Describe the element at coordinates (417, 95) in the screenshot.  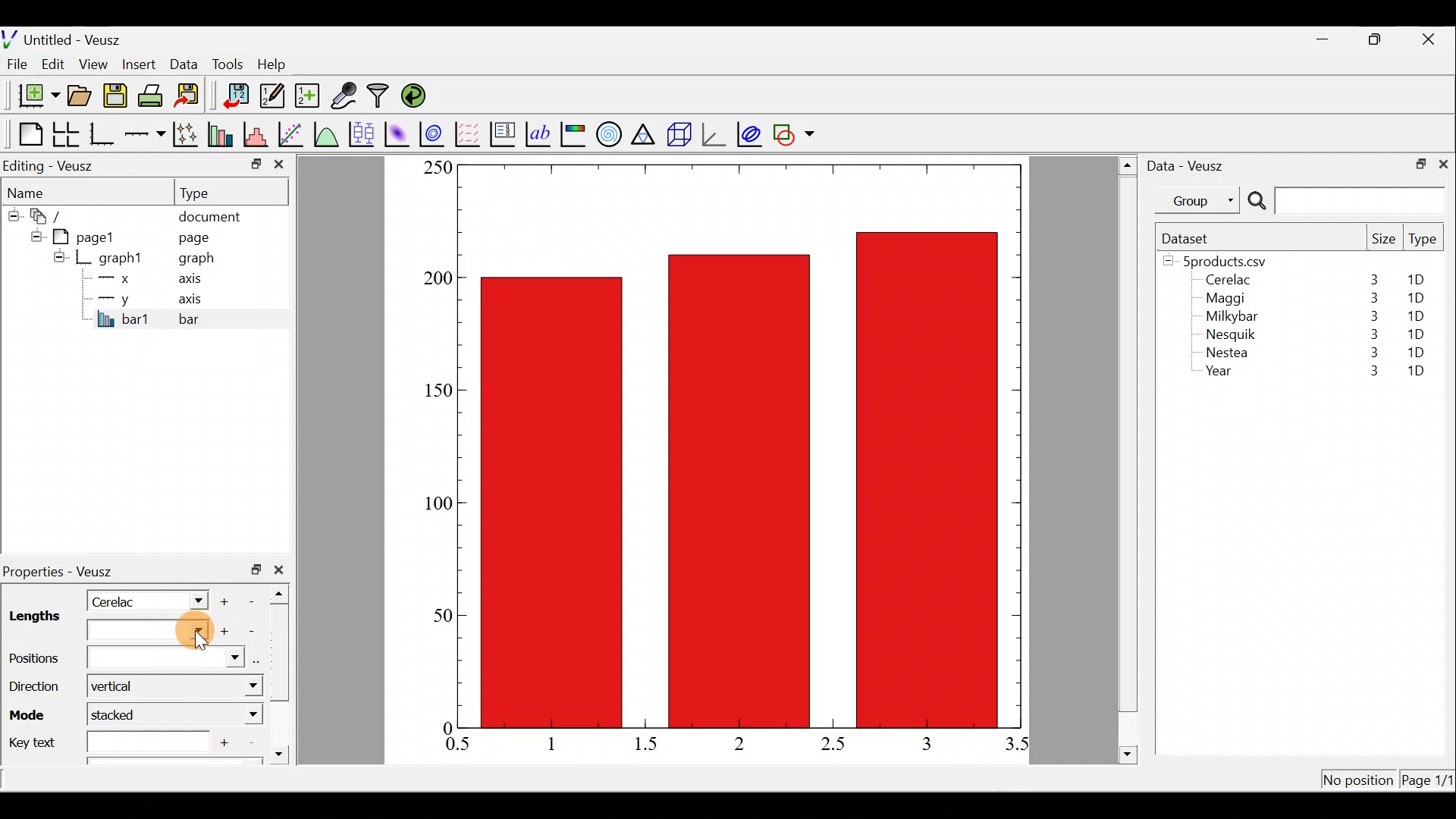
I see `Reload linked datasets` at that location.